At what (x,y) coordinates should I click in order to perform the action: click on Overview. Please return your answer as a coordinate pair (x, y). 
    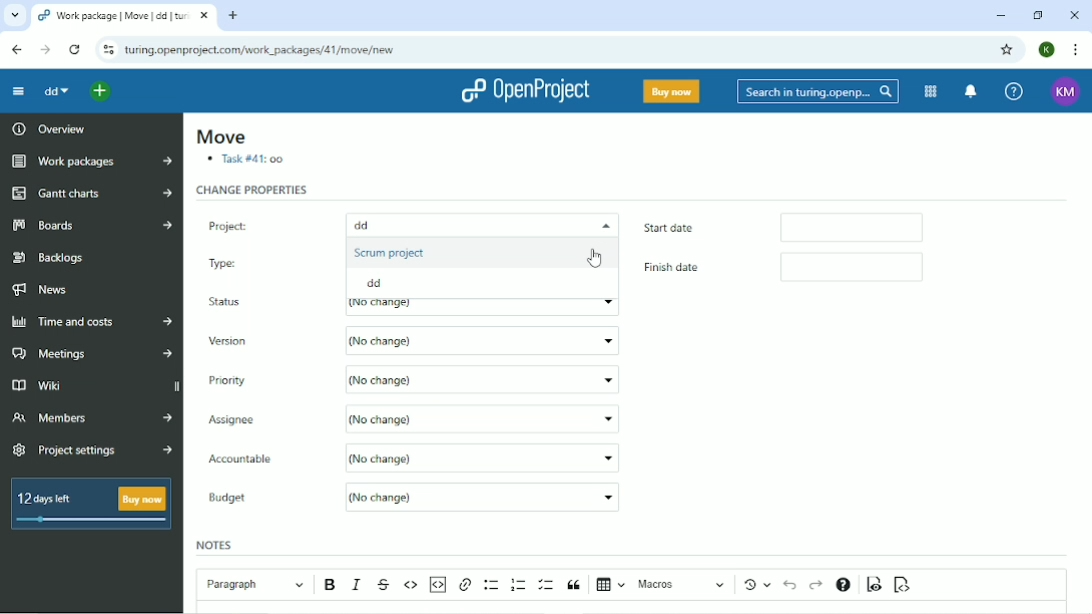
    Looking at the image, I should click on (47, 128).